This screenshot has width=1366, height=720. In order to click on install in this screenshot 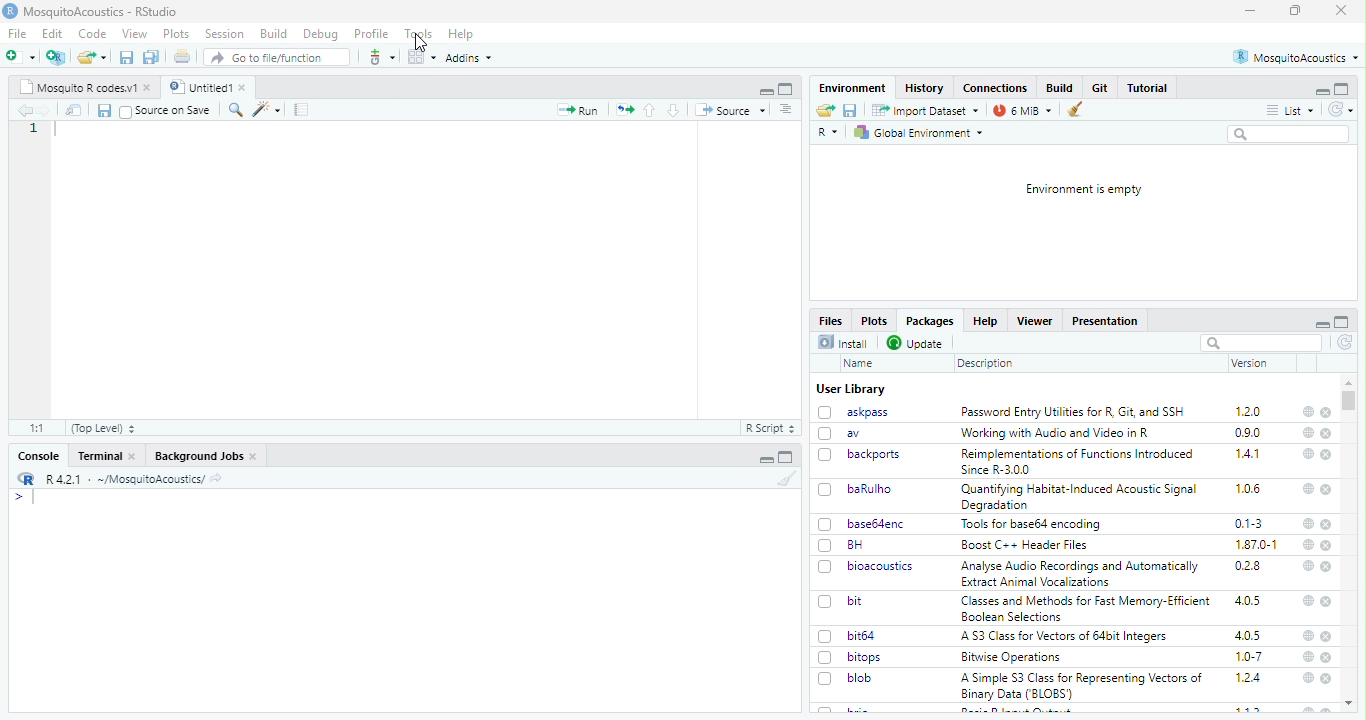, I will do `click(845, 343)`.